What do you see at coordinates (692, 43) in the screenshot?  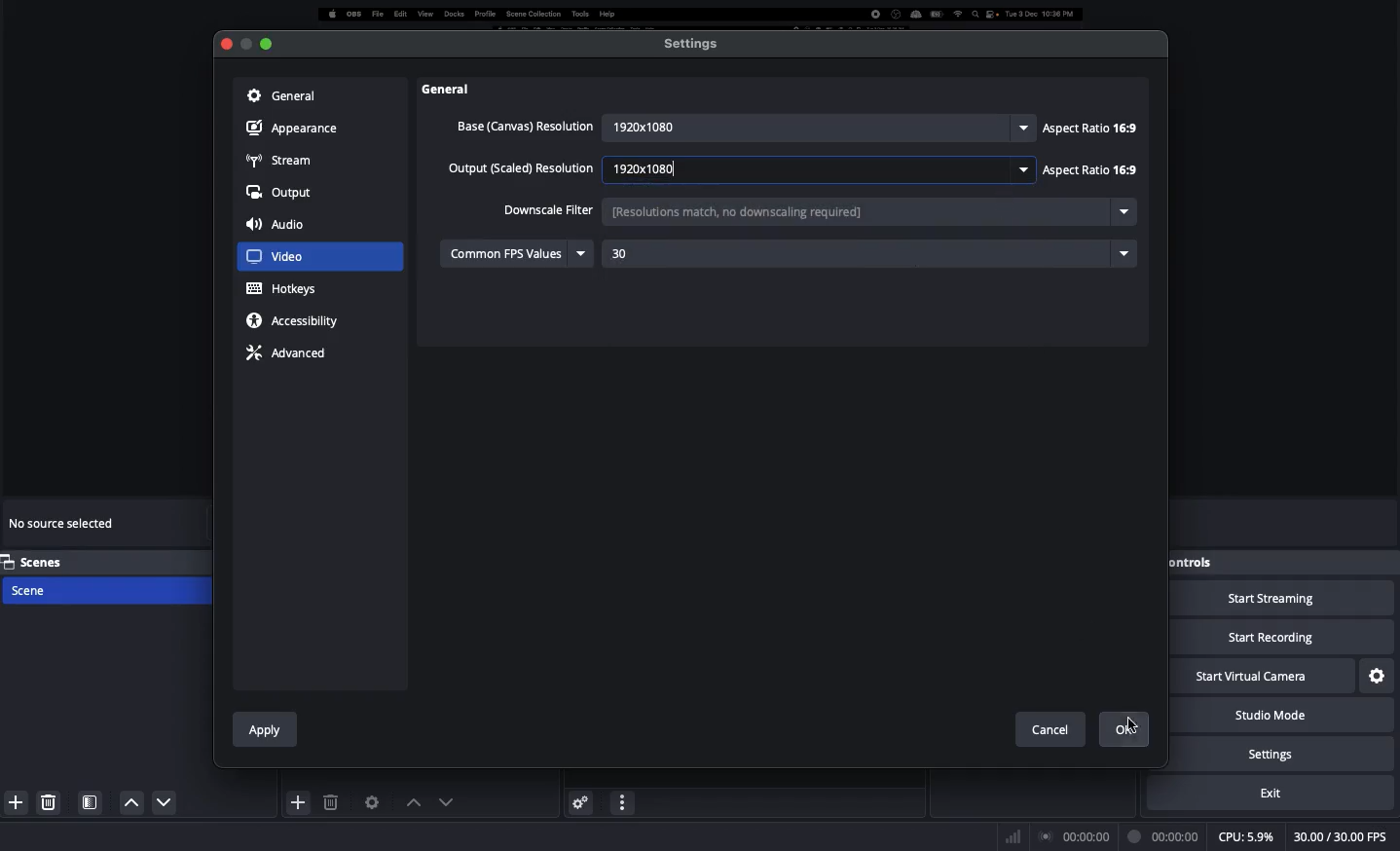 I see `Settings` at bounding box center [692, 43].